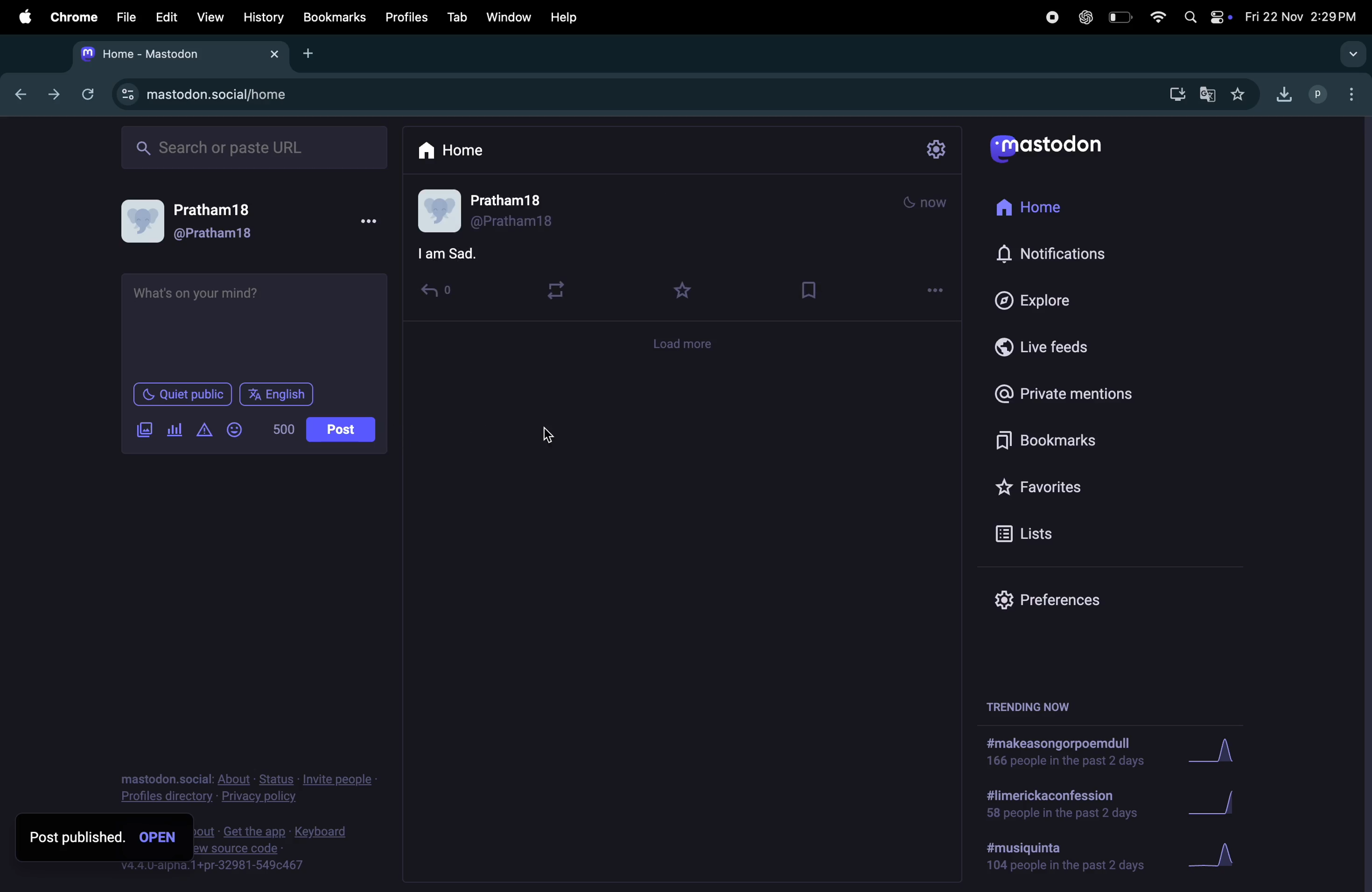 Image resolution: width=1372 pixels, height=892 pixels. What do you see at coordinates (1066, 805) in the screenshot?
I see `hashtags` at bounding box center [1066, 805].